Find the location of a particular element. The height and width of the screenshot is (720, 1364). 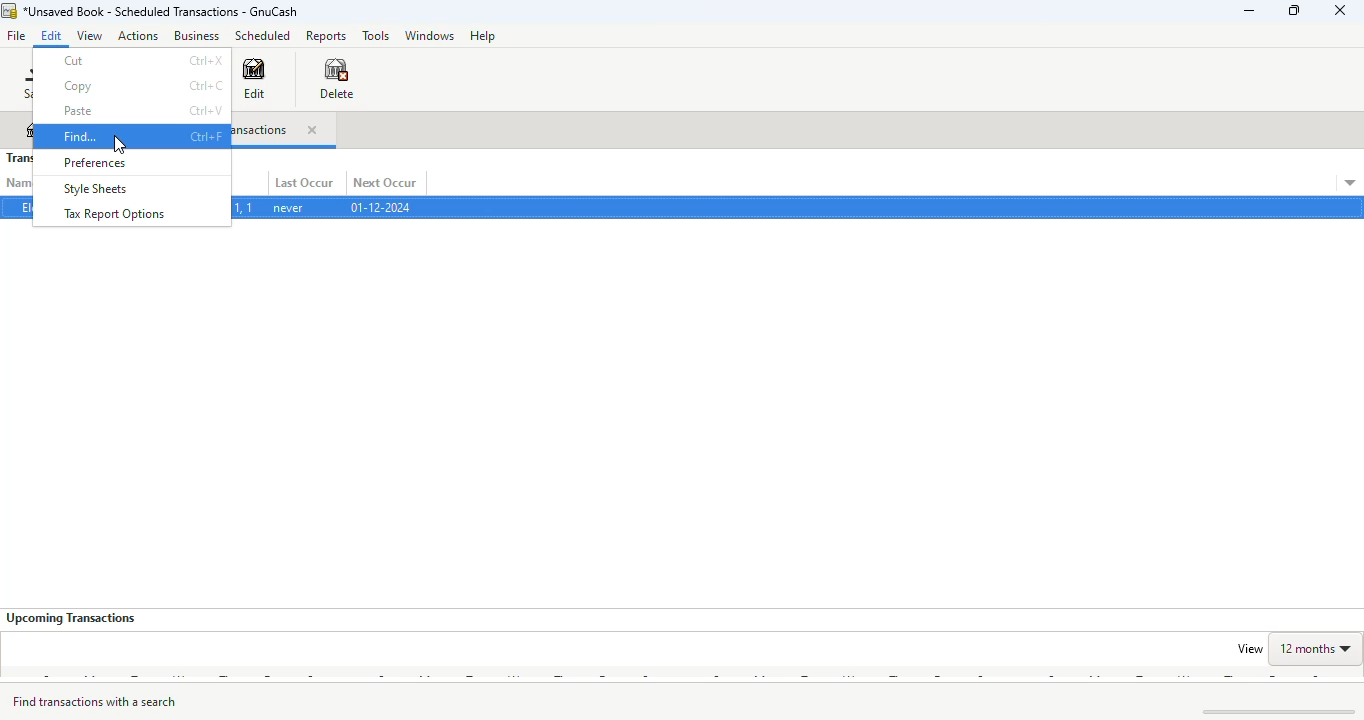

scheduled is located at coordinates (263, 36).